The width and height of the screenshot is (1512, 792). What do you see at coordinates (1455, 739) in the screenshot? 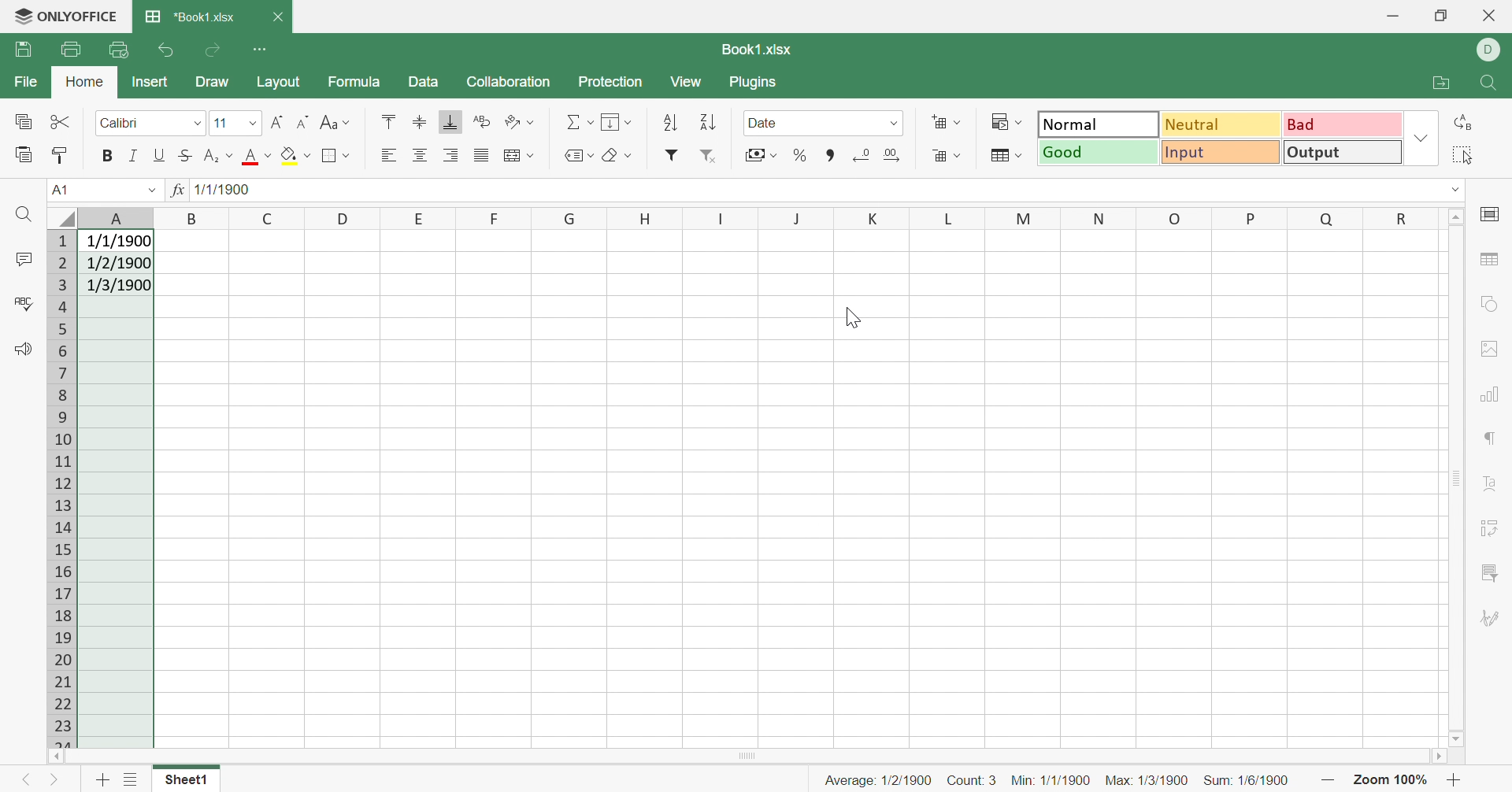
I see `Scroll down` at bounding box center [1455, 739].